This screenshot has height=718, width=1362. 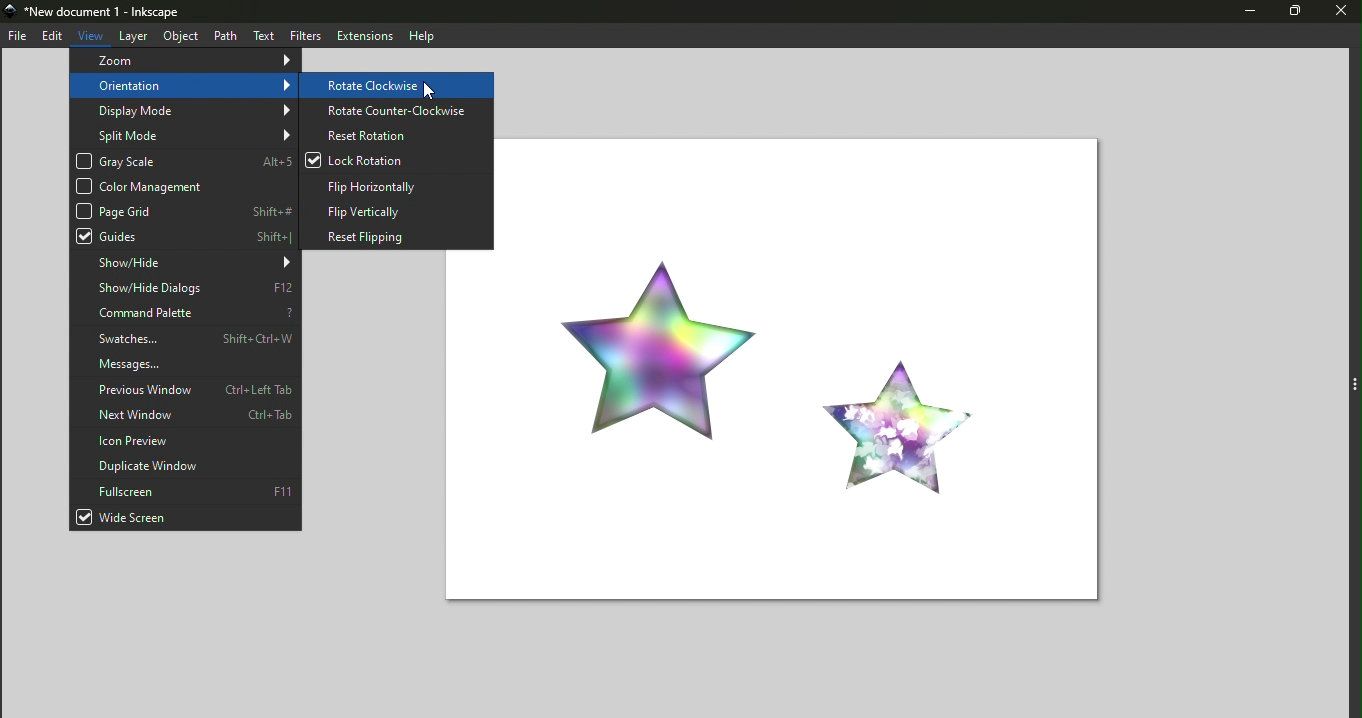 What do you see at coordinates (819, 366) in the screenshot?
I see `Canvas` at bounding box center [819, 366].